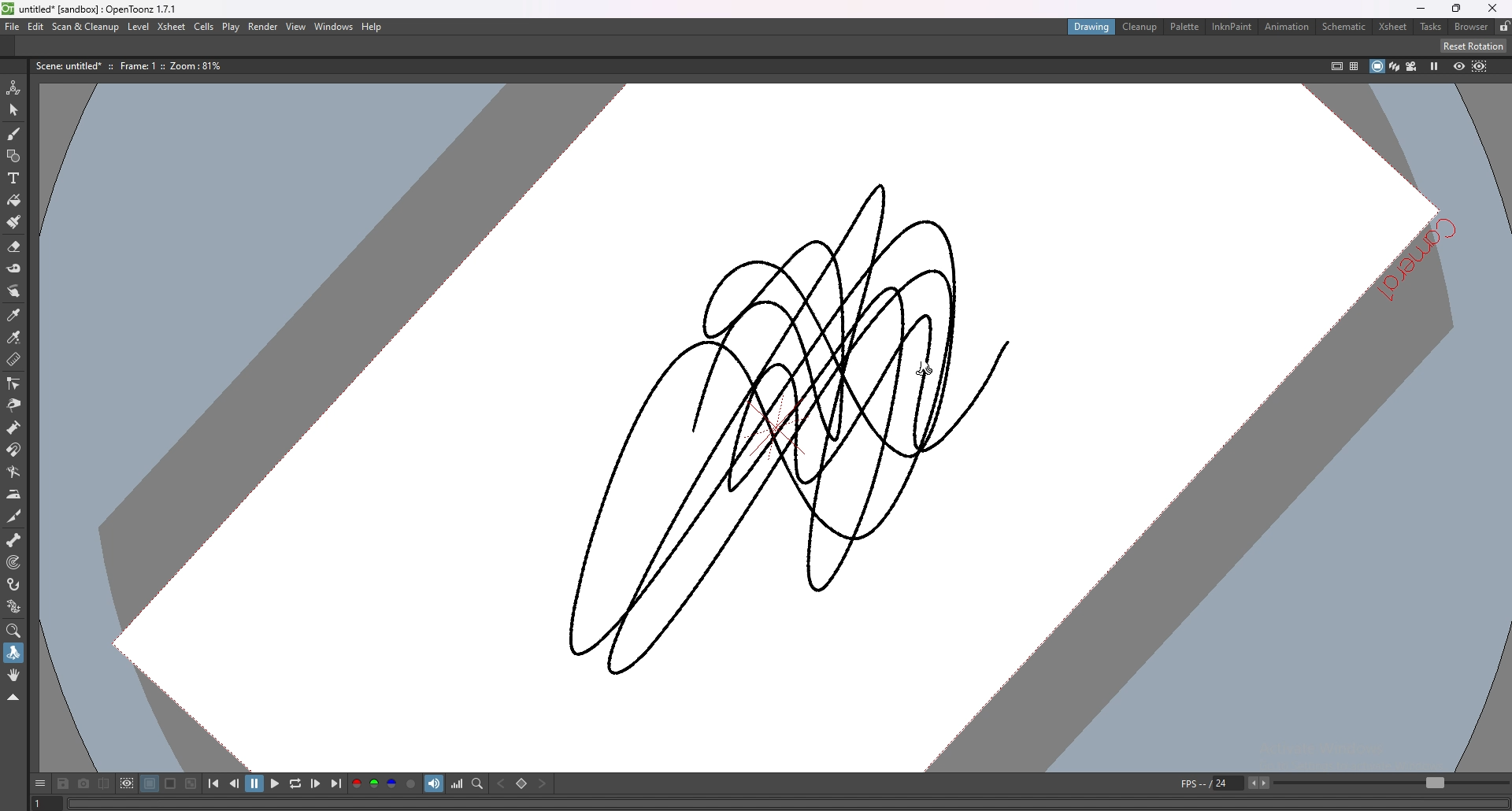  I want to click on iron, so click(13, 494).